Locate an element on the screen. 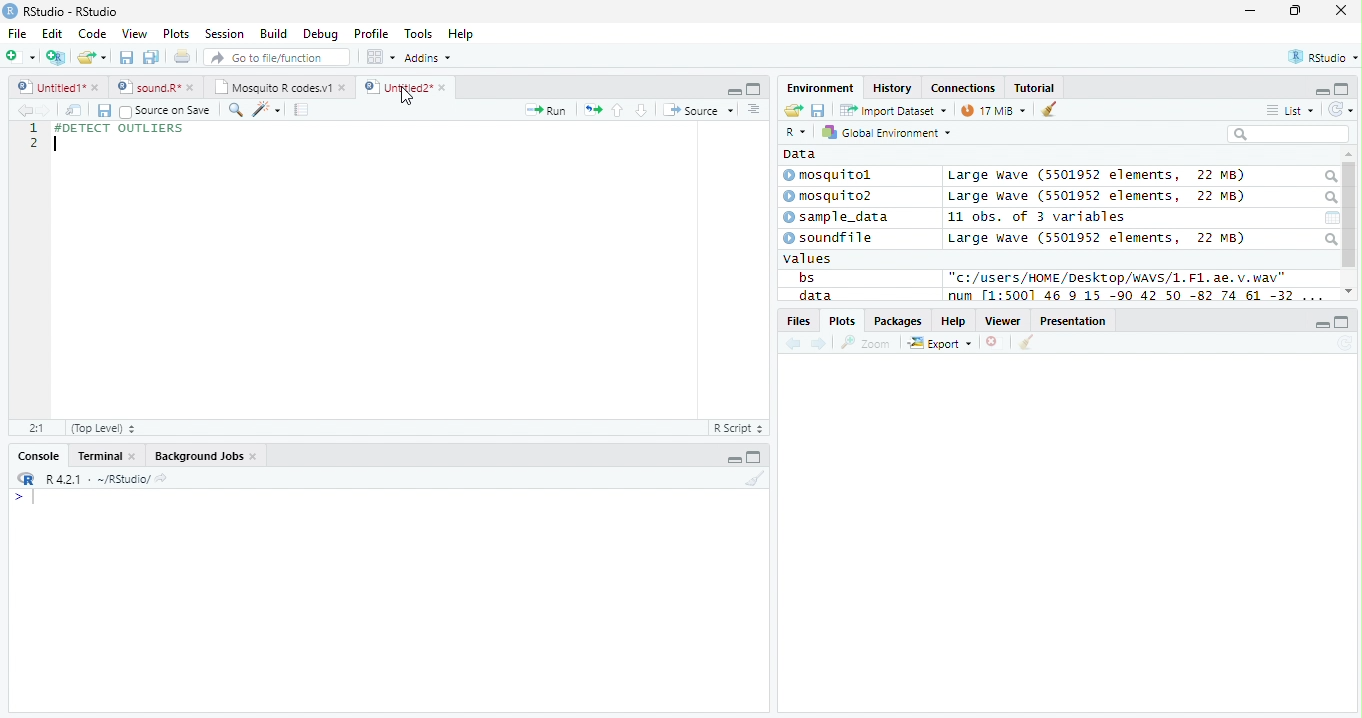 The image size is (1362, 718). Packages is located at coordinates (899, 321).